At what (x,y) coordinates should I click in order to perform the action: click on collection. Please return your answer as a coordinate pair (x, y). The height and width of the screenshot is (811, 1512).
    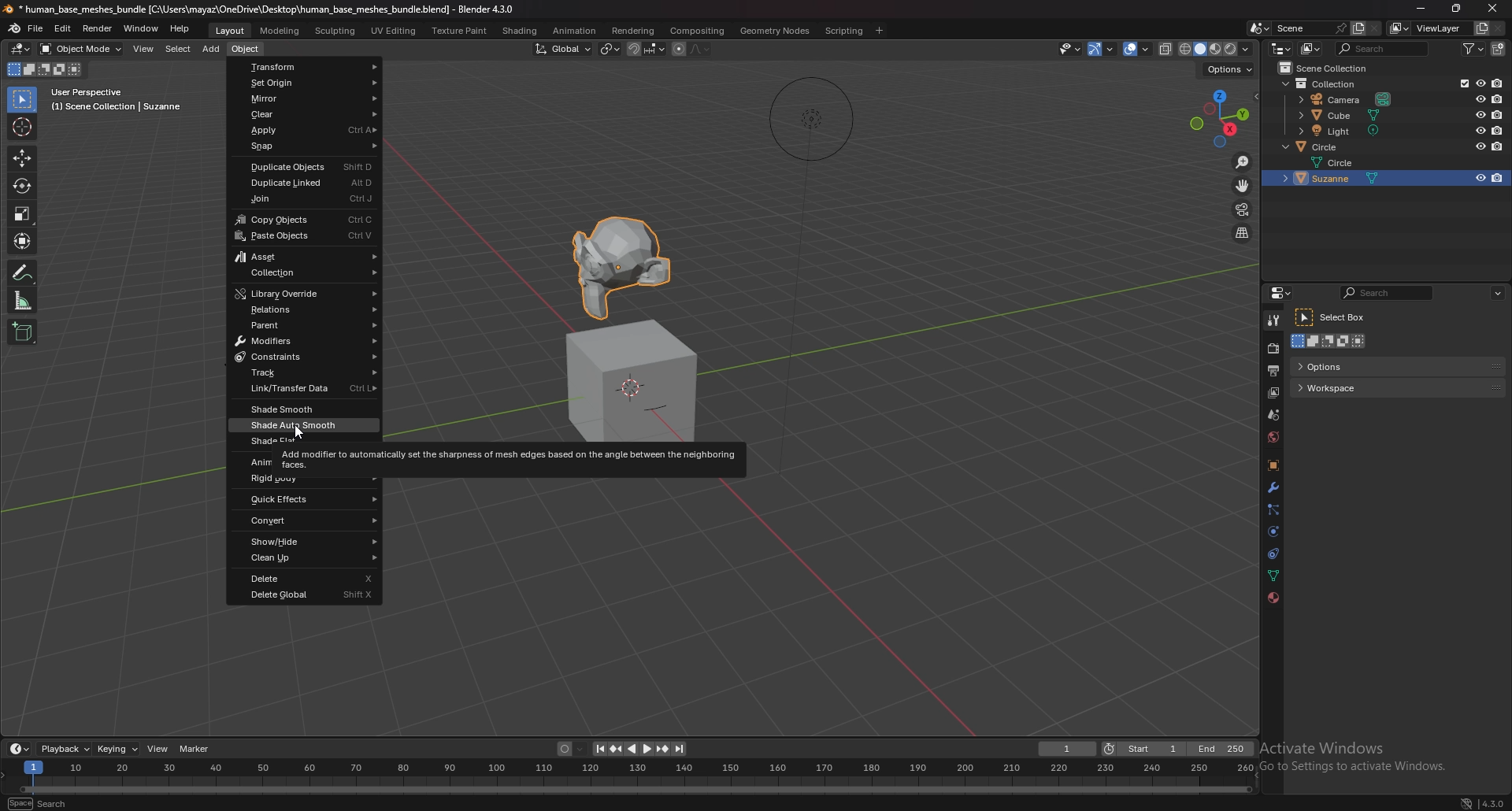
    Looking at the image, I should click on (1323, 84).